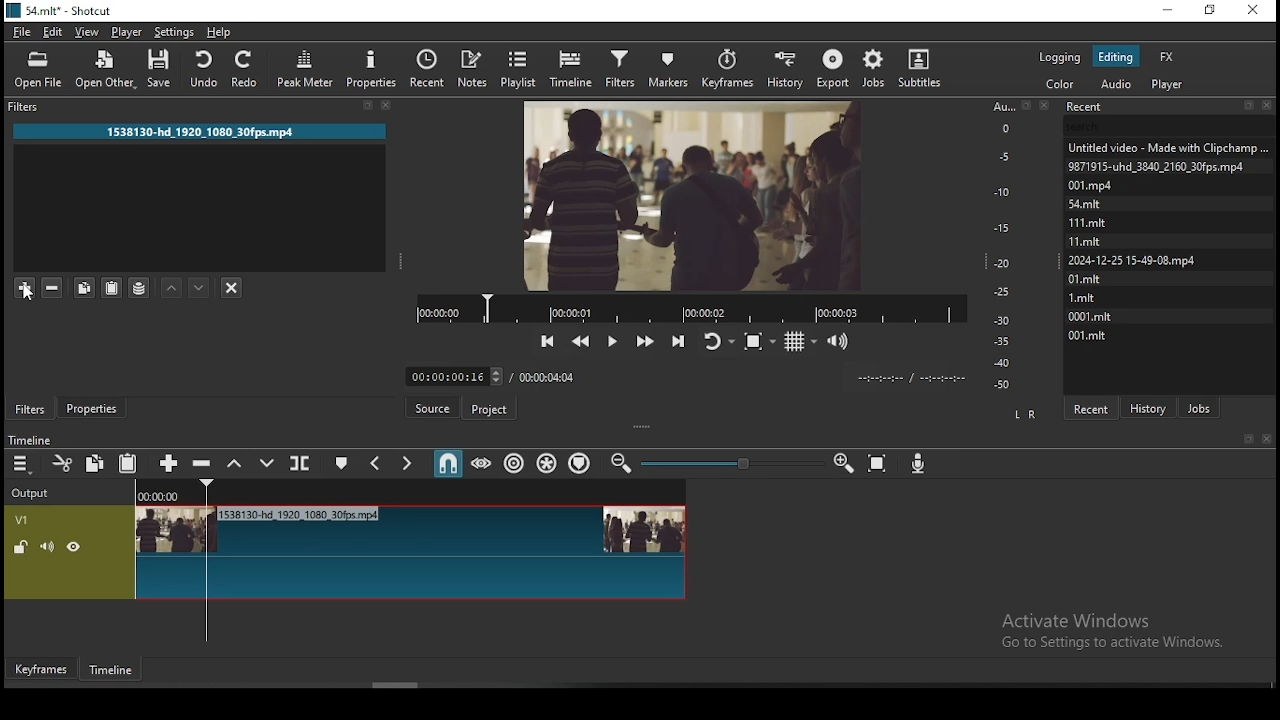  What do you see at coordinates (1167, 146) in the screenshot?
I see `Untitled video - Made with Clipchamp .` at bounding box center [1167, 146].